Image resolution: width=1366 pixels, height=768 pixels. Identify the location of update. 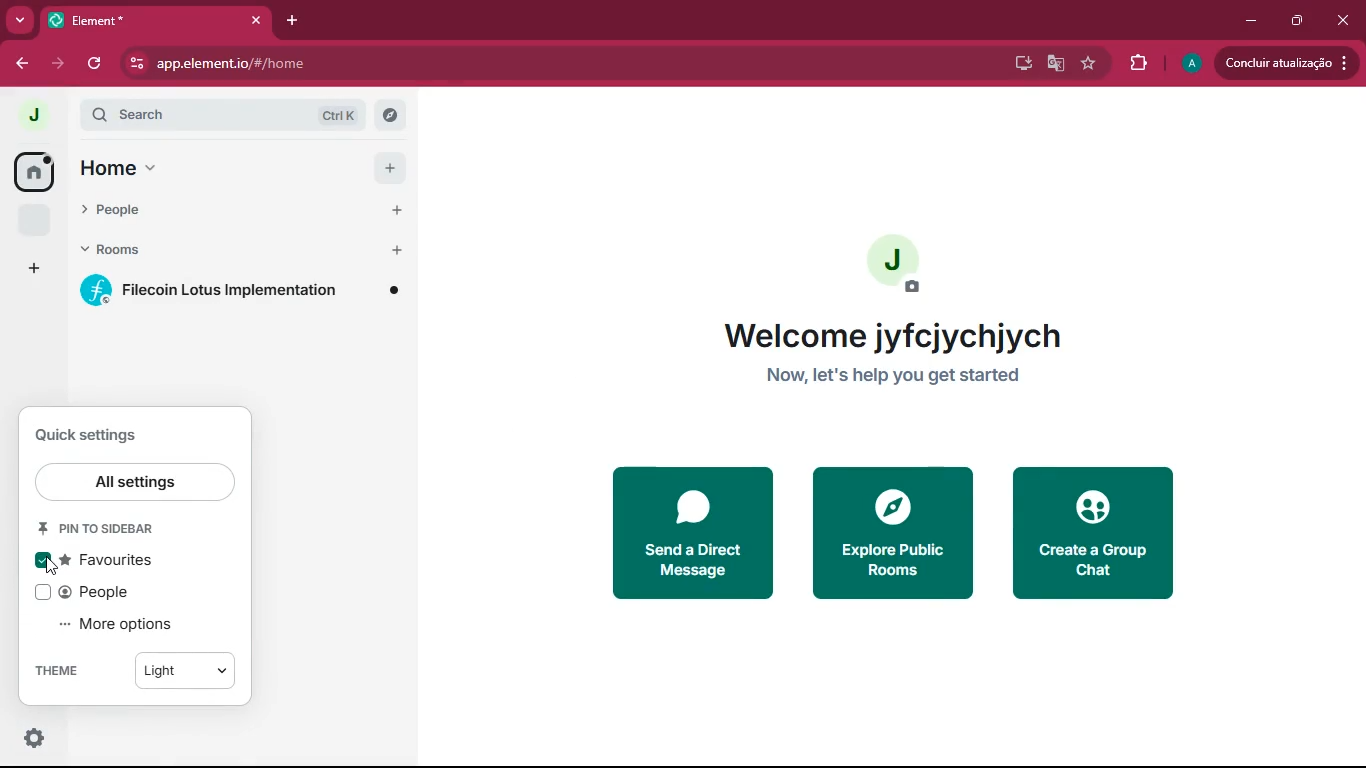
(1287, 63).